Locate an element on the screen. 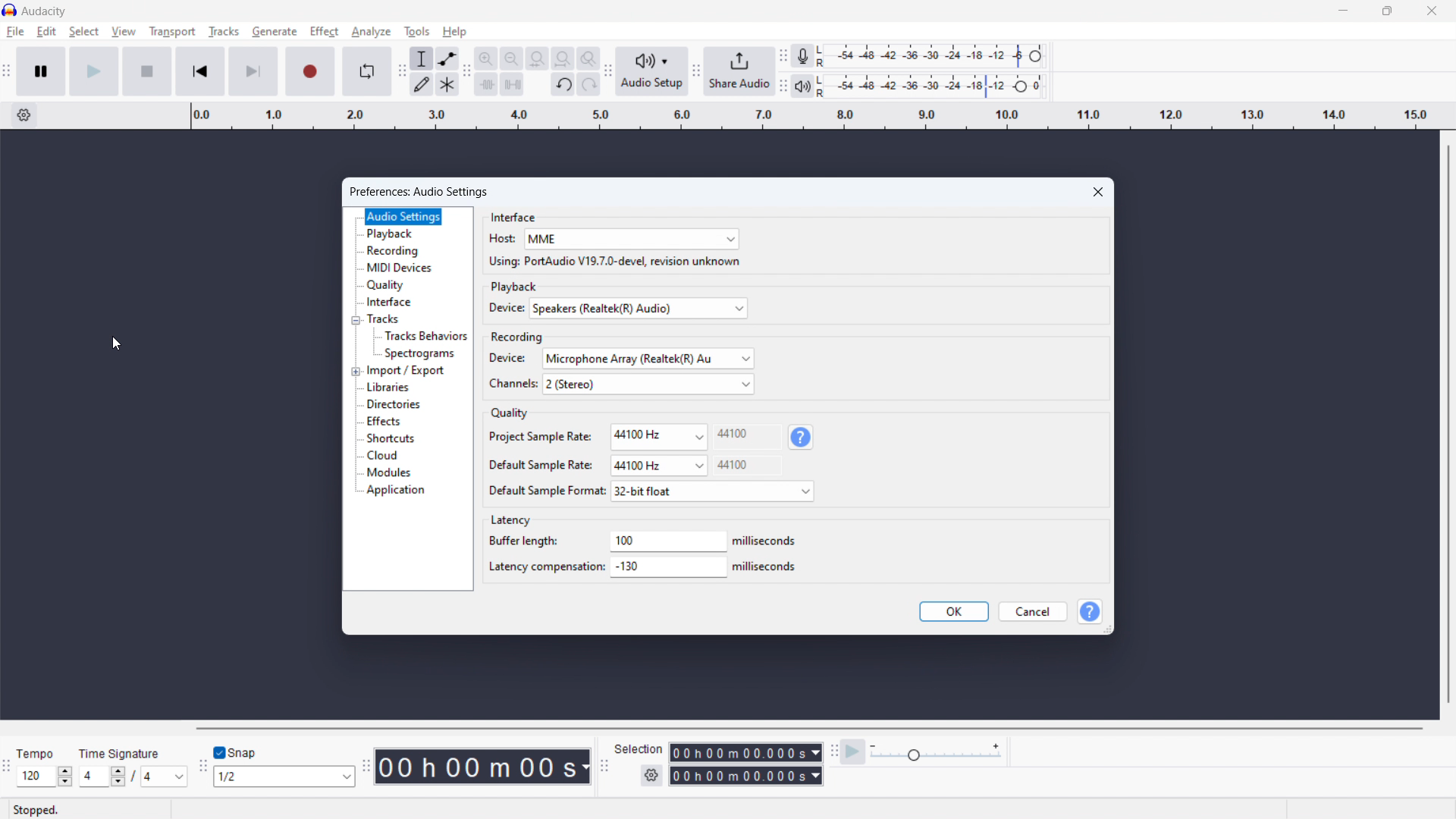 The image size is (1456, 819). Device is located at coordinates (508, 359).